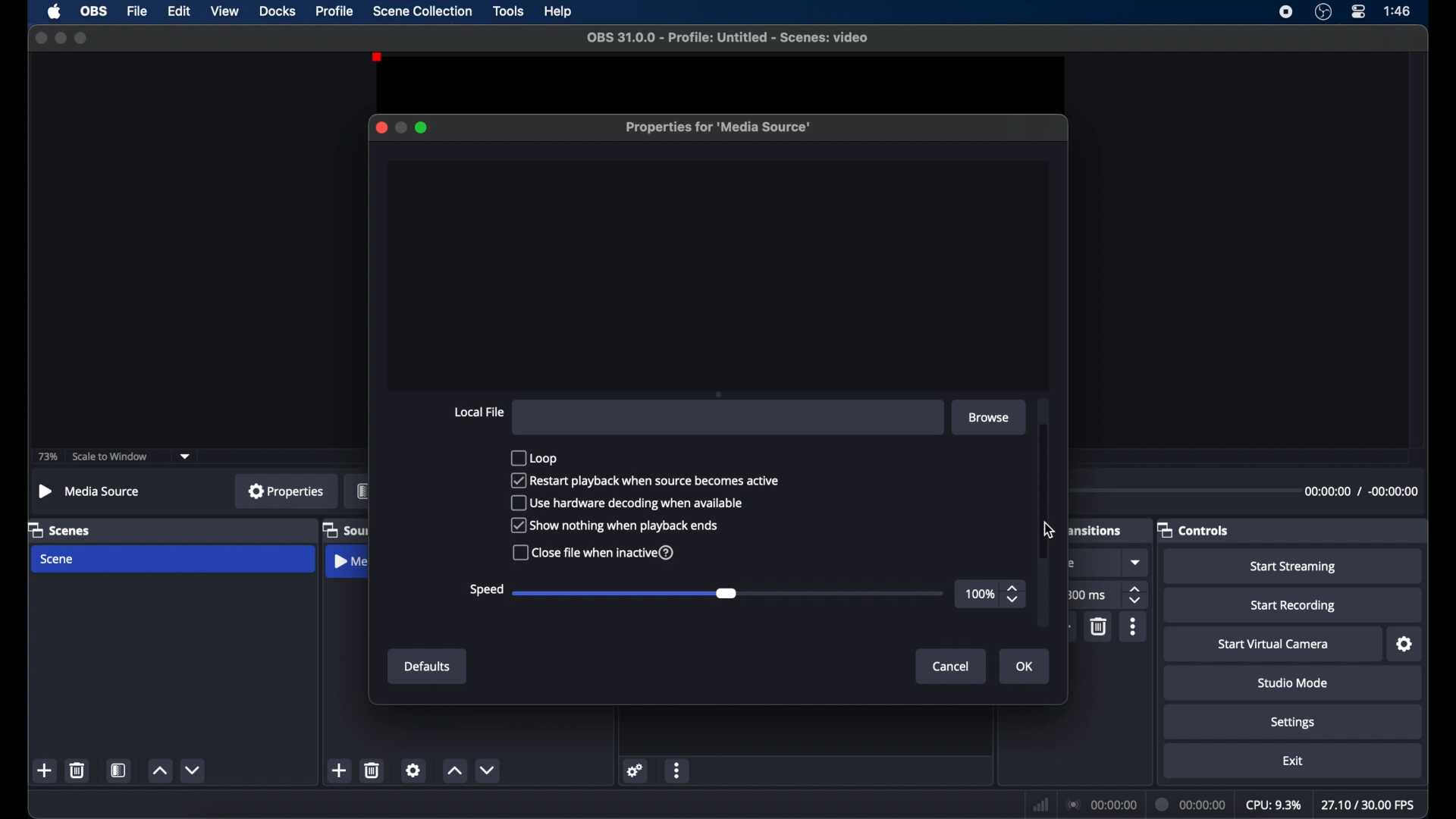 The image size is (1456, 819). I want to click on apple icon, so click(56, 11).